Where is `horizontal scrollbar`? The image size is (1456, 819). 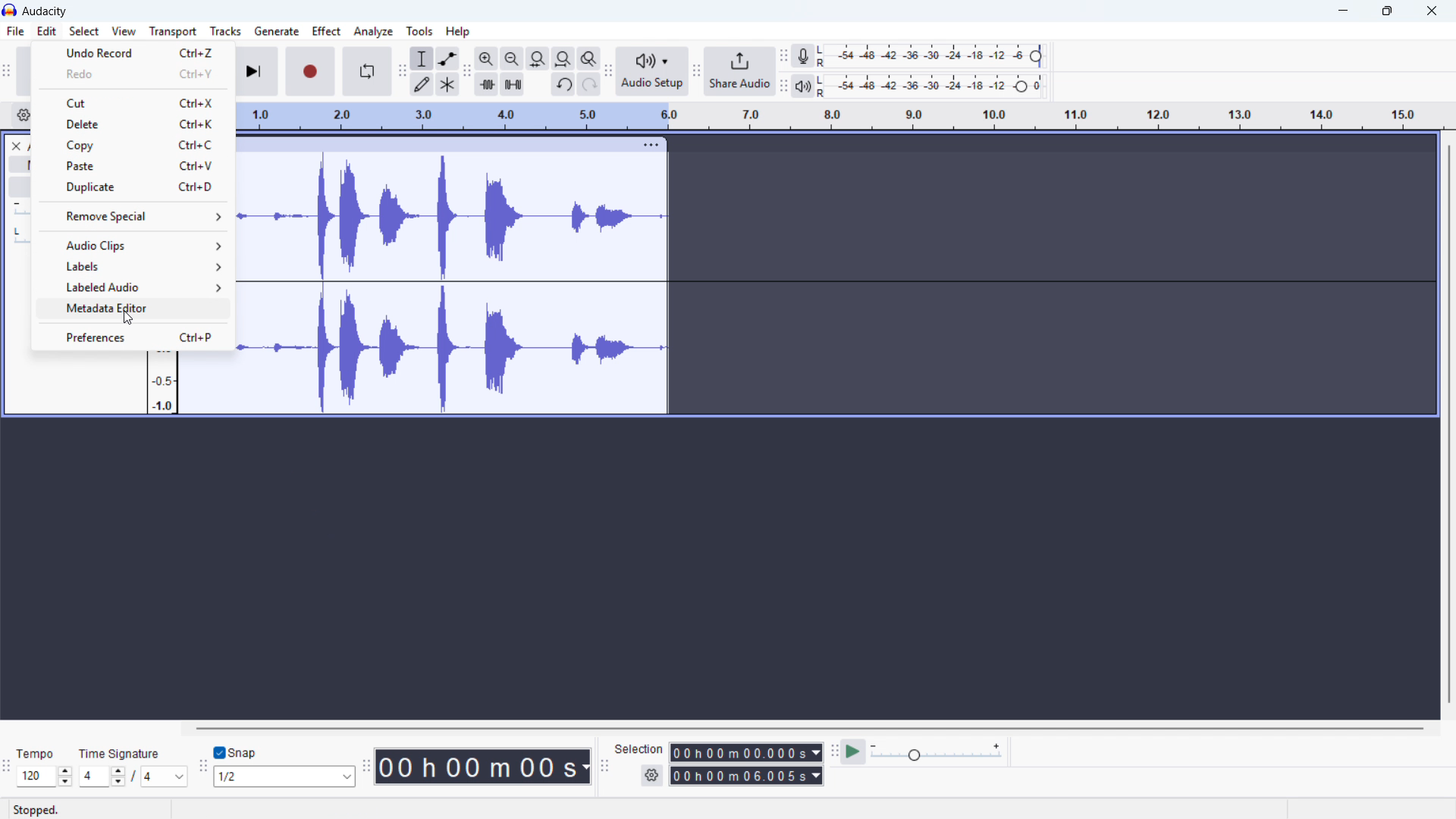
horizontal scrollbar is located at coordinates (812, 728).